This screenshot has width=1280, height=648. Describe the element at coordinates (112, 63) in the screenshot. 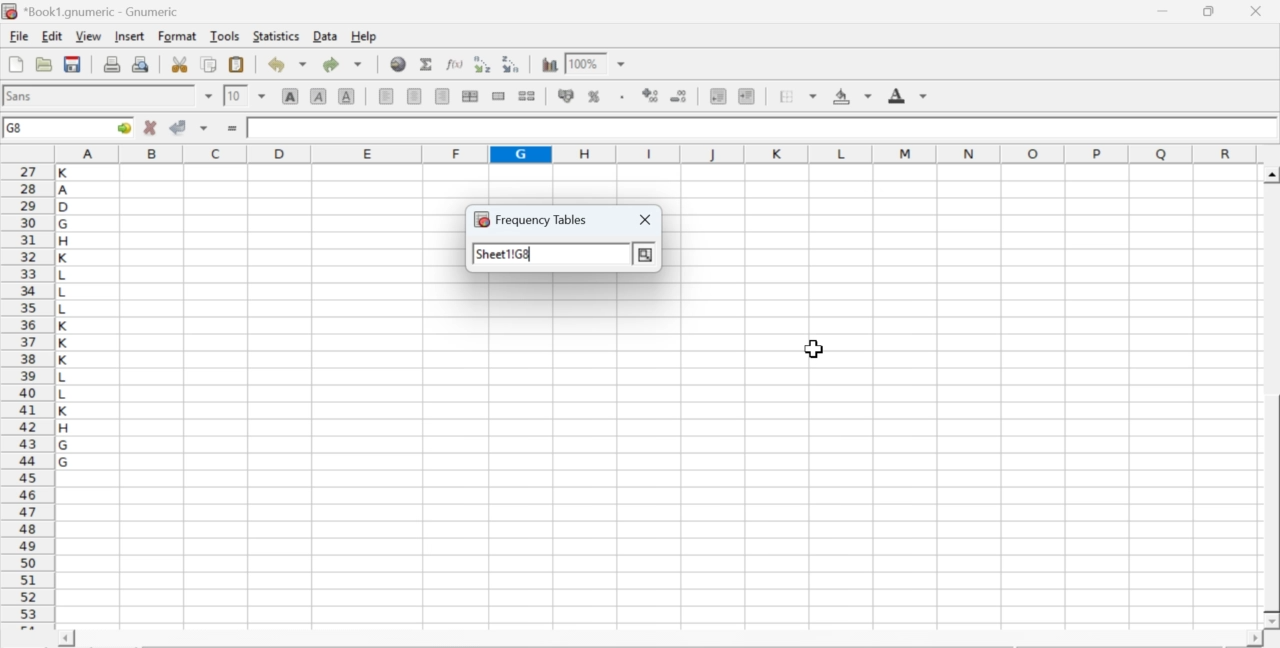

I see `print` at that location.